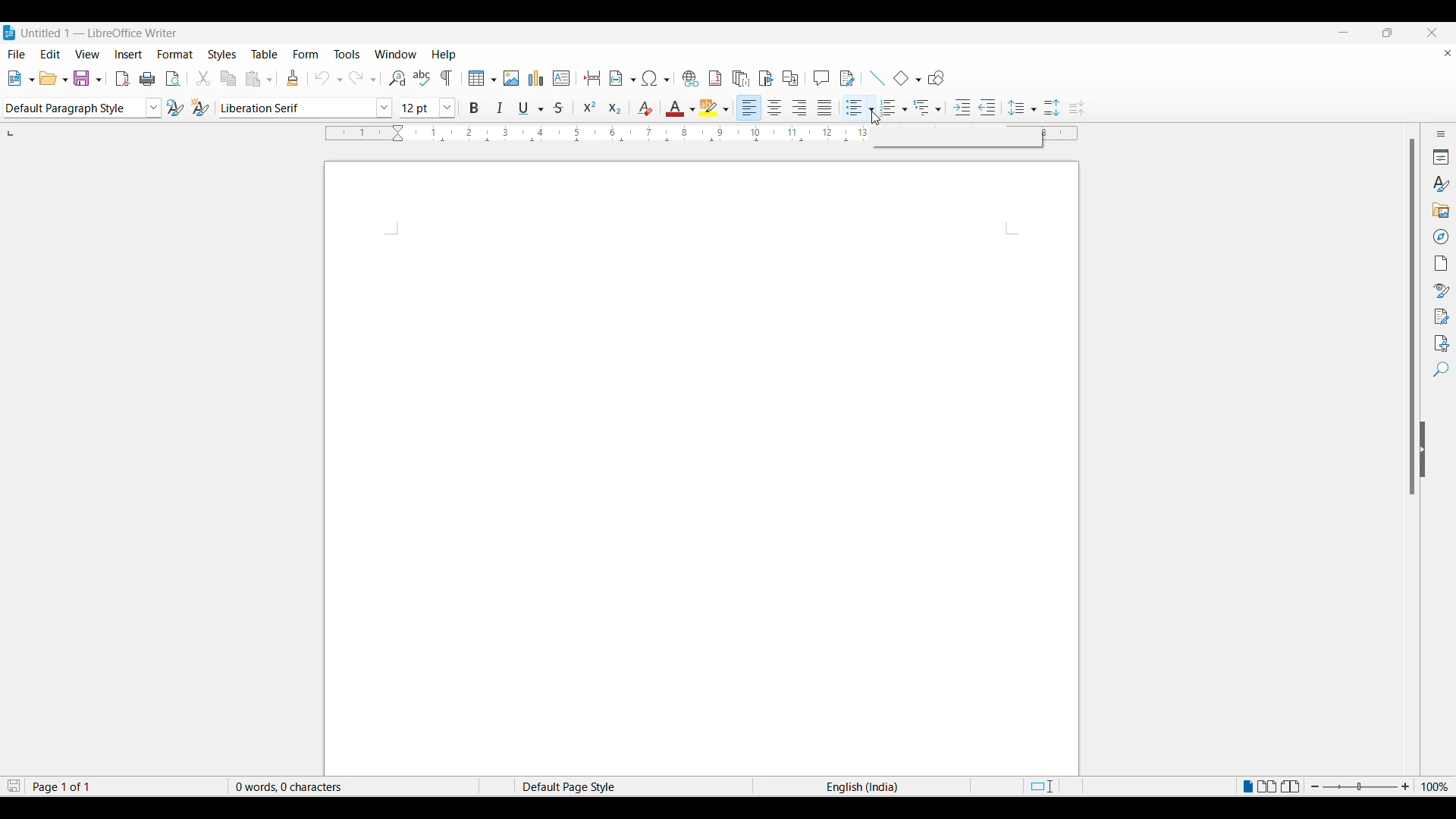 This screenshot has height=819, width=1456. What do you see at coordinates (1269, 787) in the screenshot?
I see `Multiple page view` at bounding box center [1269, 787].